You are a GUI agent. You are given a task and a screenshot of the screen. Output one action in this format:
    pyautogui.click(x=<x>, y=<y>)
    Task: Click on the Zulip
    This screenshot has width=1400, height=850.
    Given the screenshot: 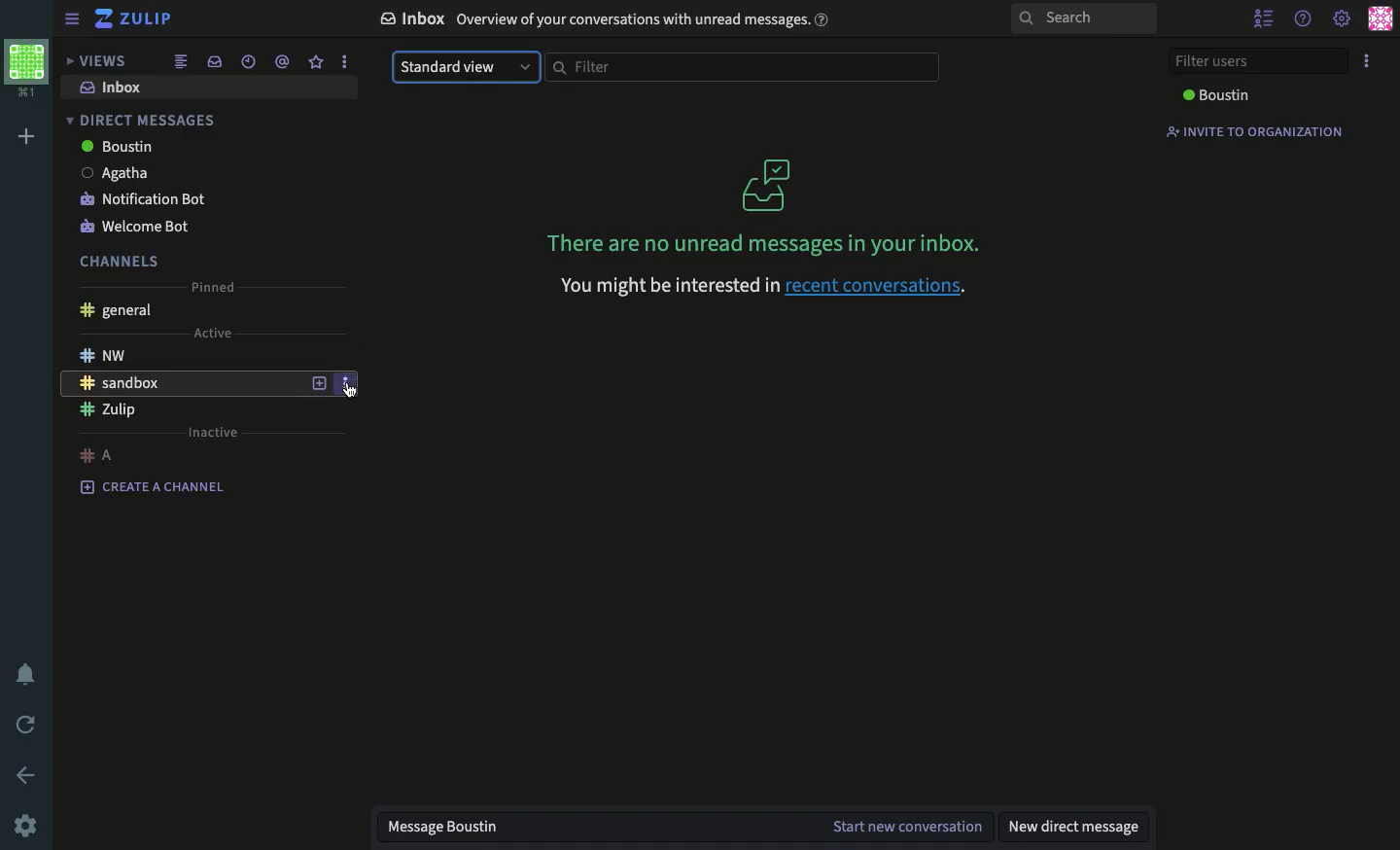 What is the action you would take?
    pyautogui.click(x=108, y=410)
    